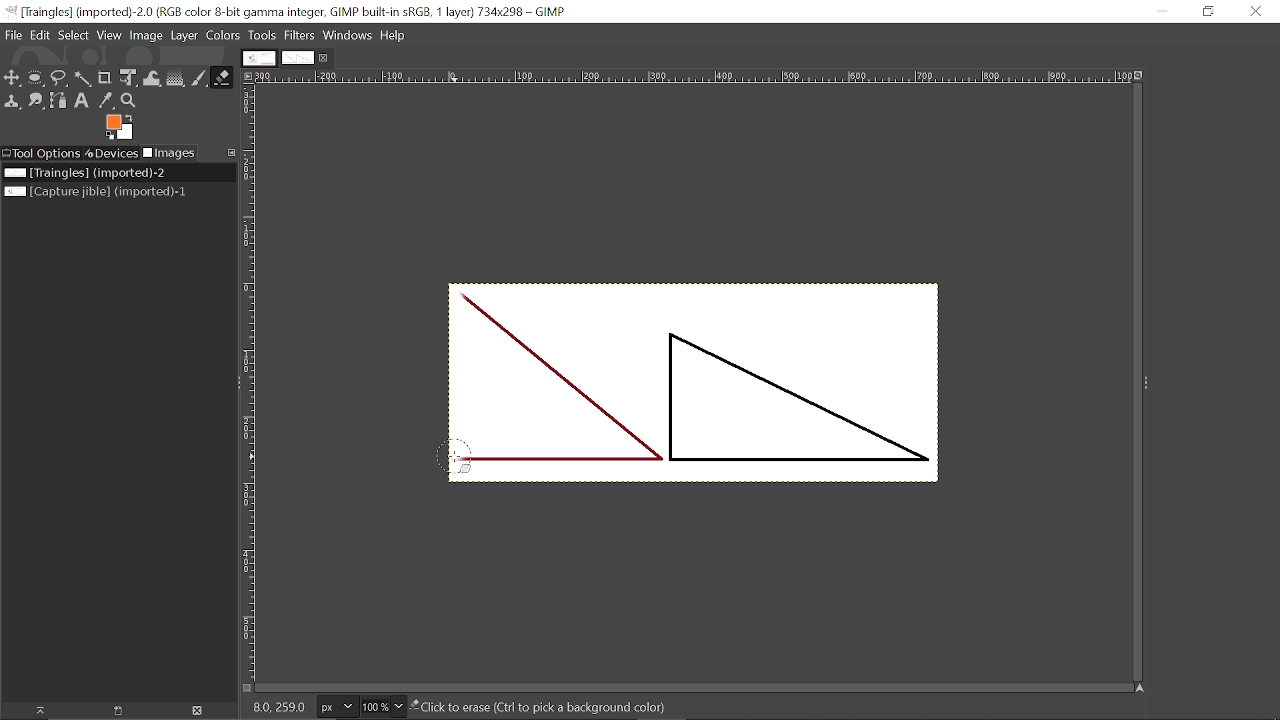  Describe the element at coordinates (13, 36) in the screenshot. I see `File` at that location.